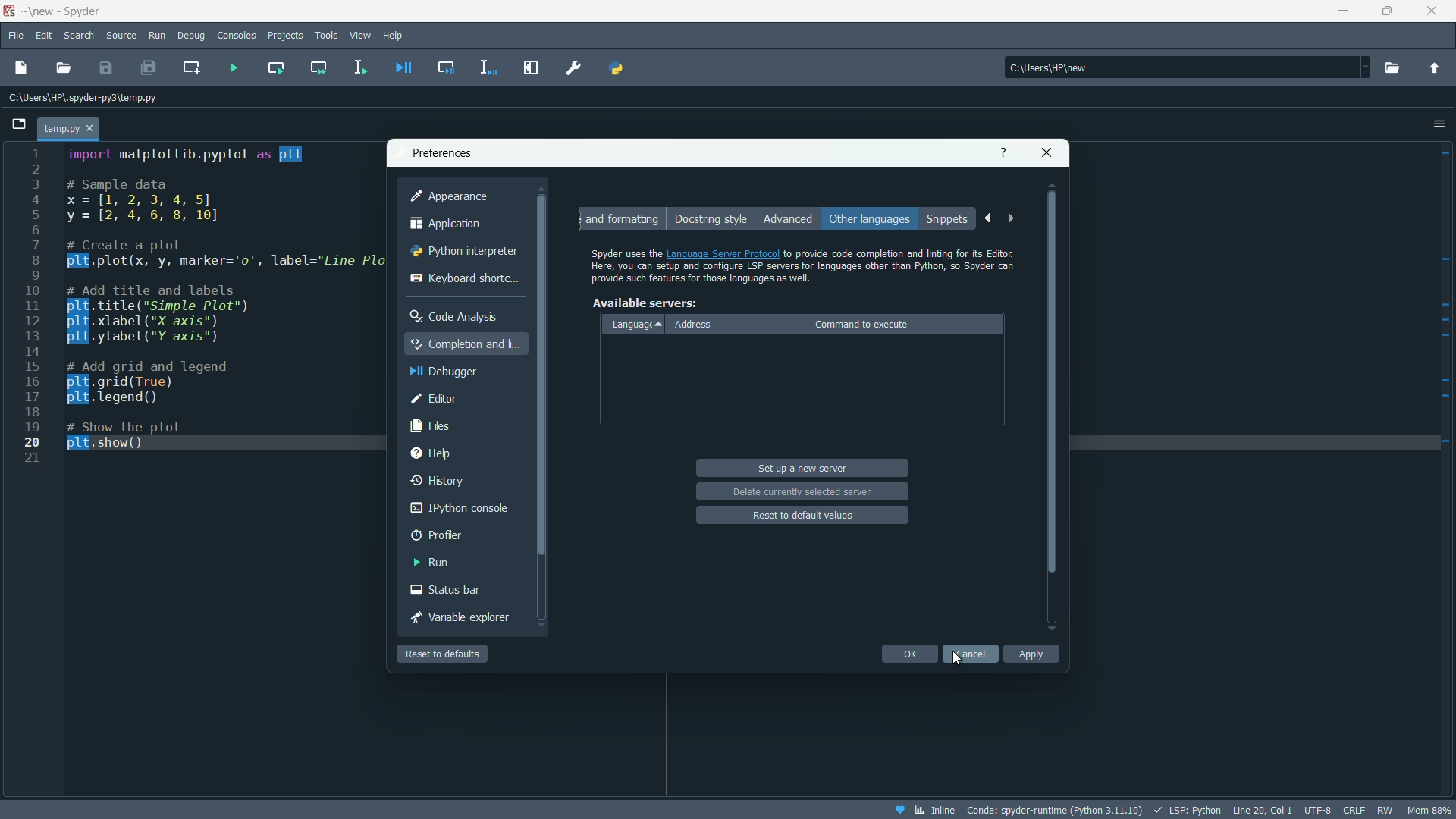  What do you see at coordinates (694, 325) in the screenshot?
I see `address` at bounding box center [694, 325].